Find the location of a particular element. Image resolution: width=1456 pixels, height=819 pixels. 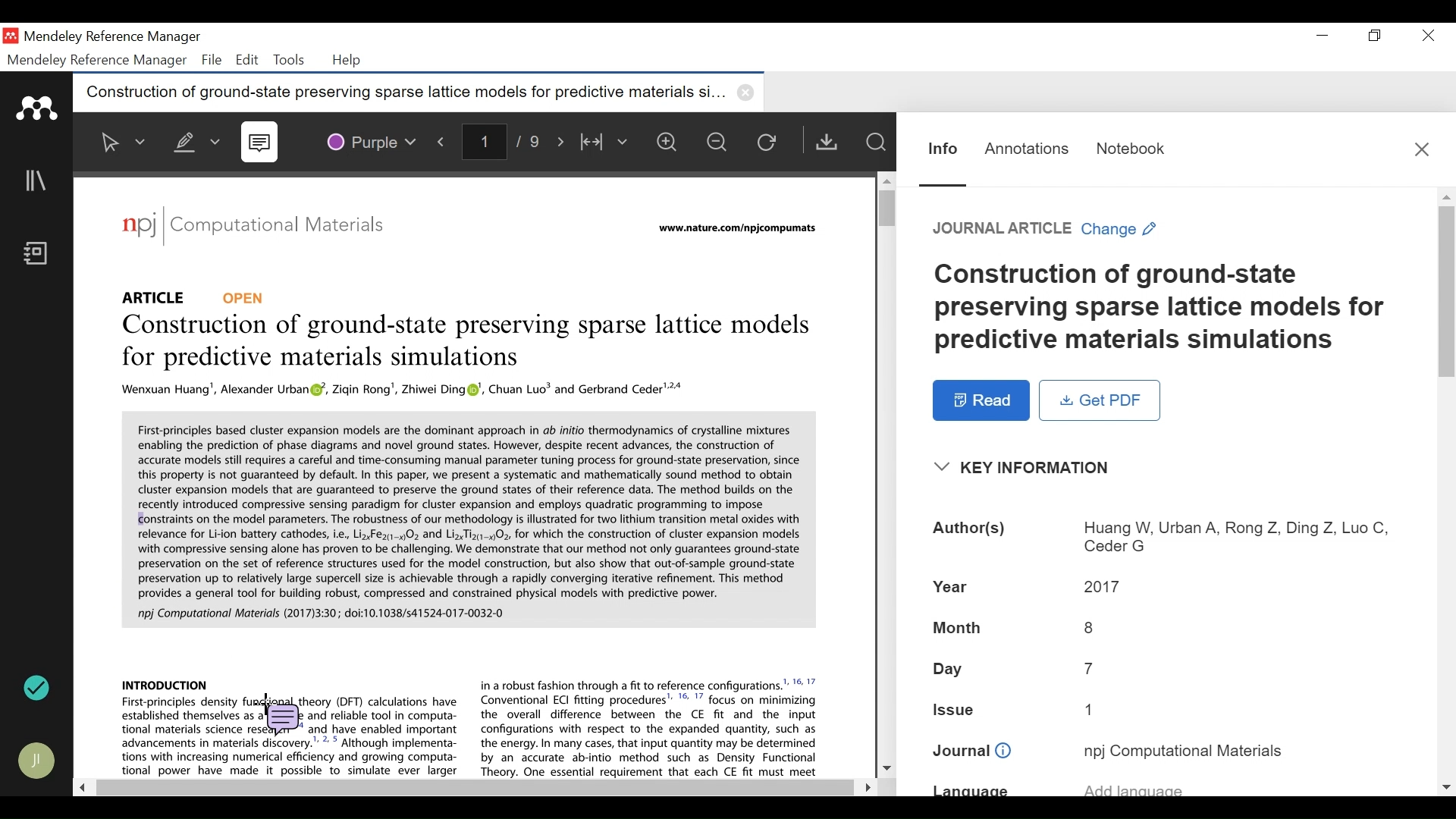

Read is located at coordinates (981, 400).